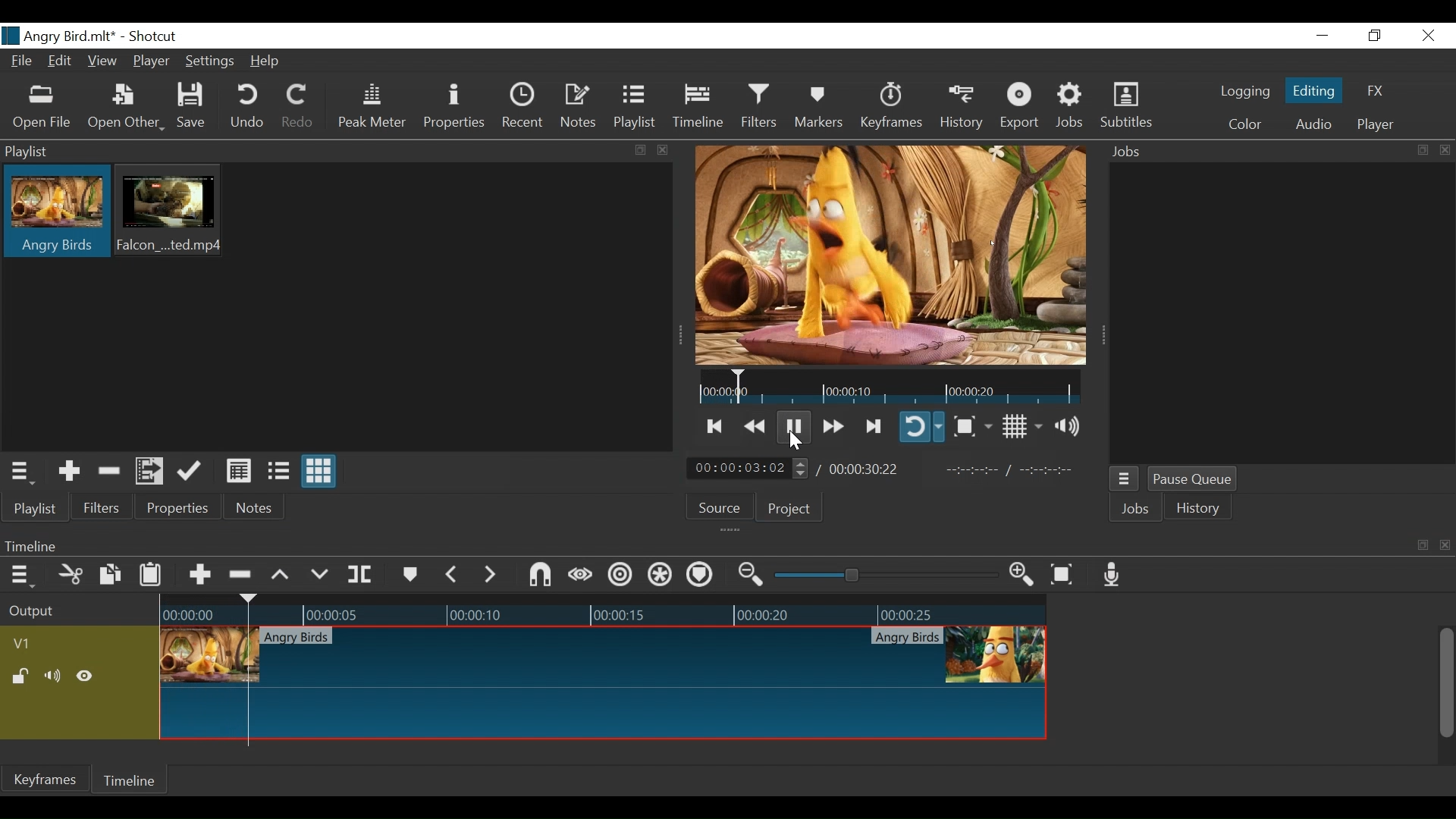 The width and height of the screenshot is (1456, 819). What do you see at coordinates (1112, 576) in the screenshot?
I see `Record audio` at bounding box center [1112, 576].